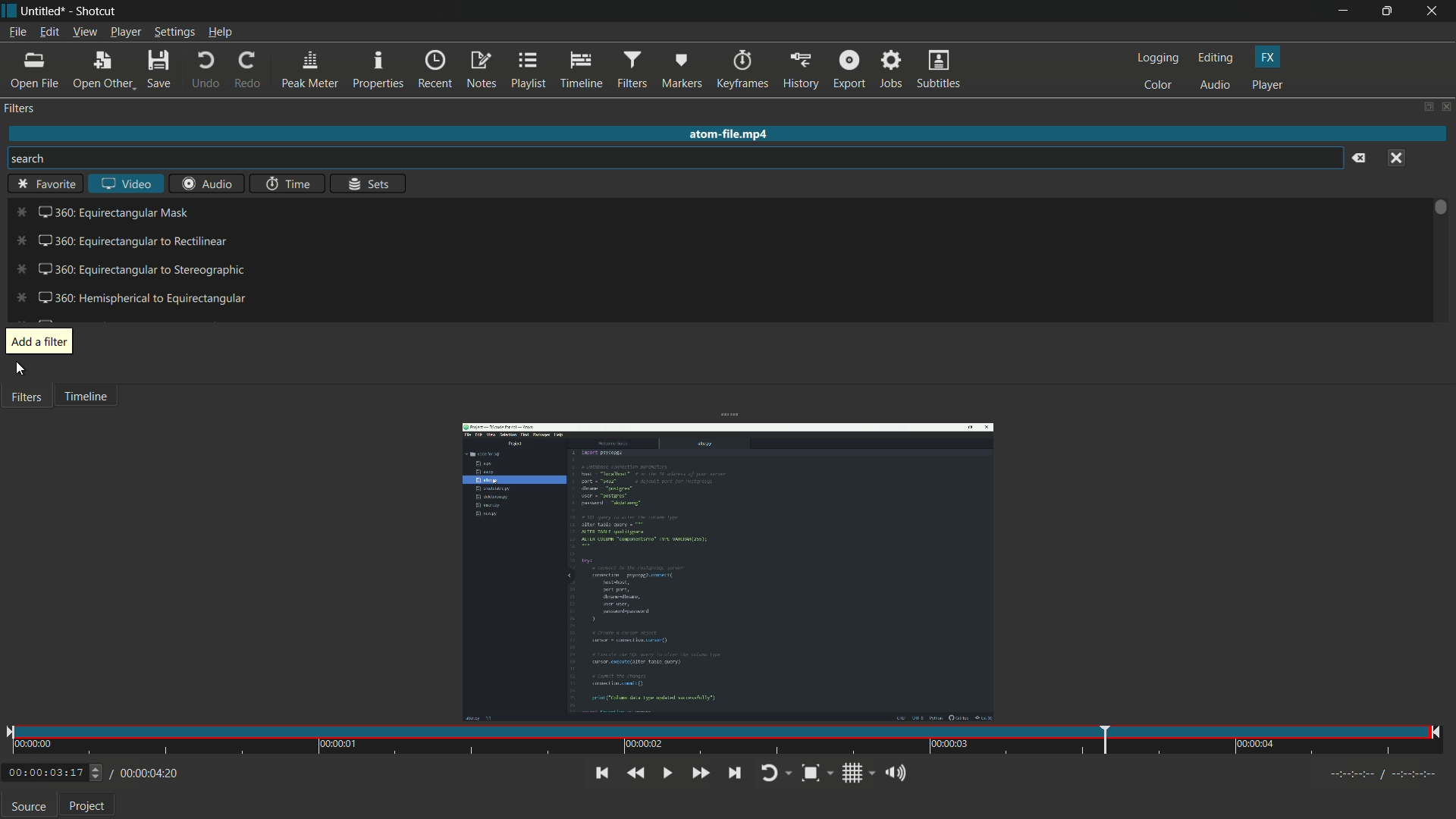  I want to click on help menu, so click(221, 33).